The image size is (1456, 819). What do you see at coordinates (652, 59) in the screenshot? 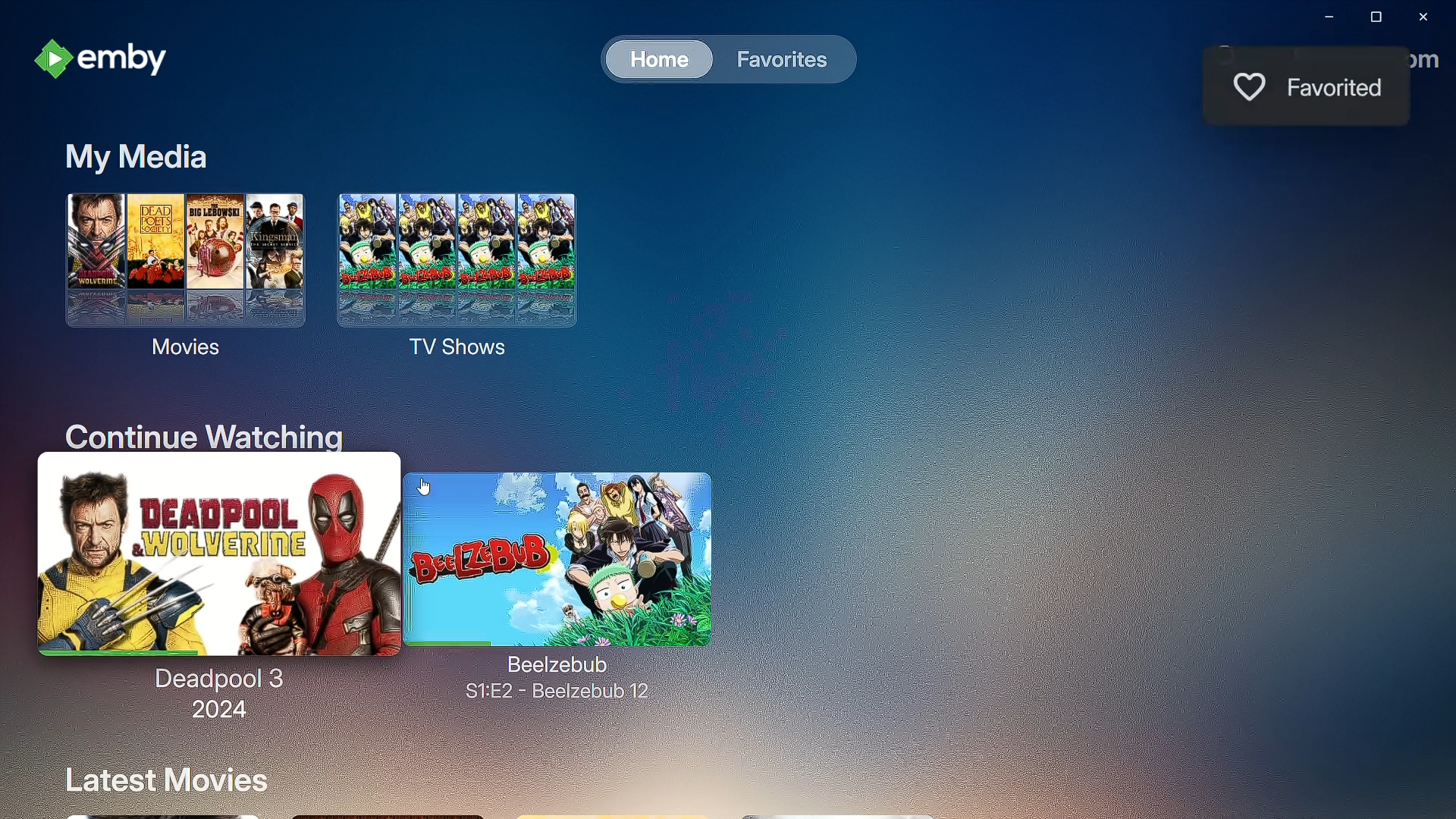
I see `Home` at bounding box center [652, 59].